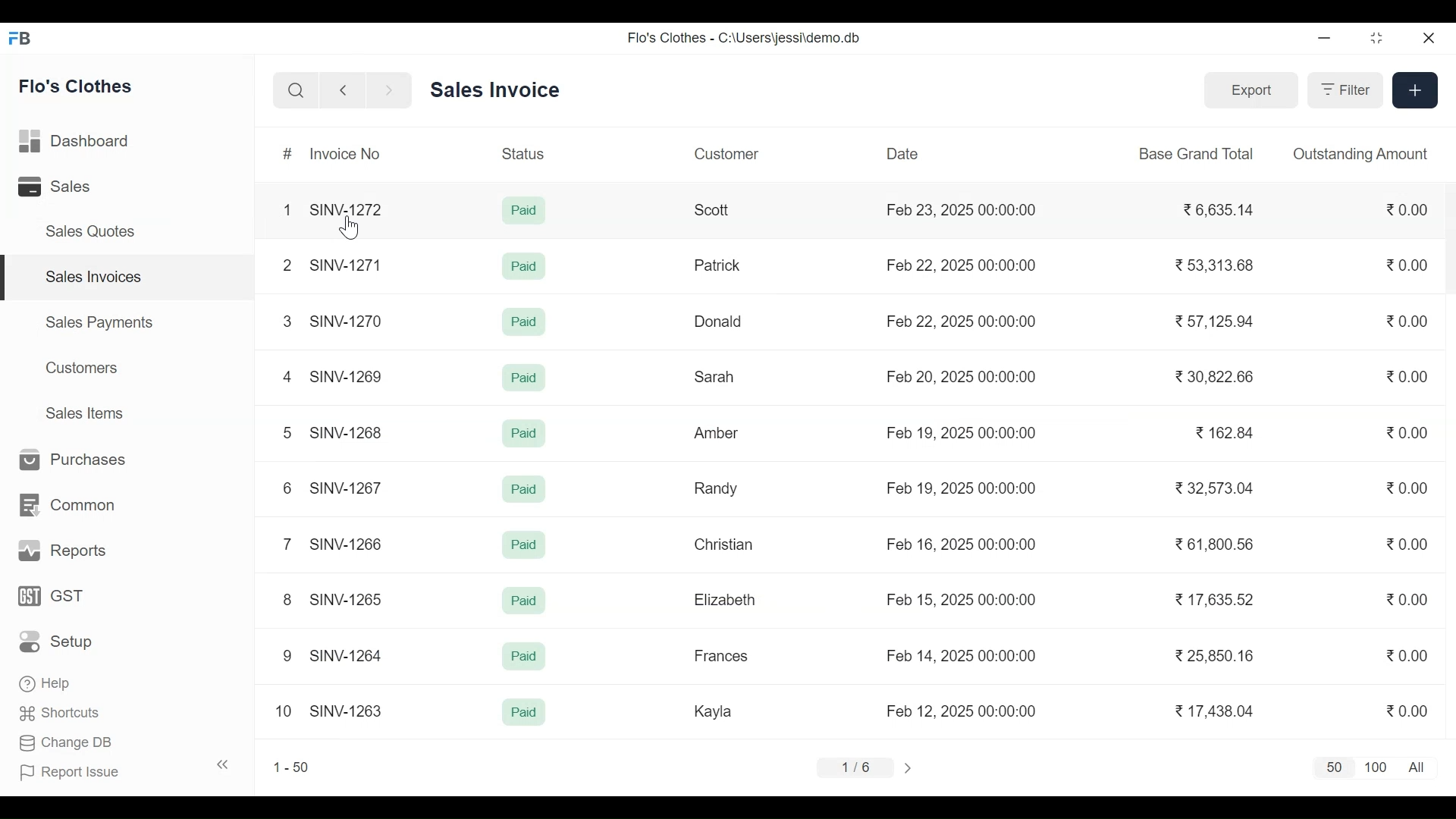 Image resolution: width=1456 pixels, height=819 pixels. What do you see at coordinates (524, 378) in the screenshot?
I see `Paid` at bounding box center [524, 378].